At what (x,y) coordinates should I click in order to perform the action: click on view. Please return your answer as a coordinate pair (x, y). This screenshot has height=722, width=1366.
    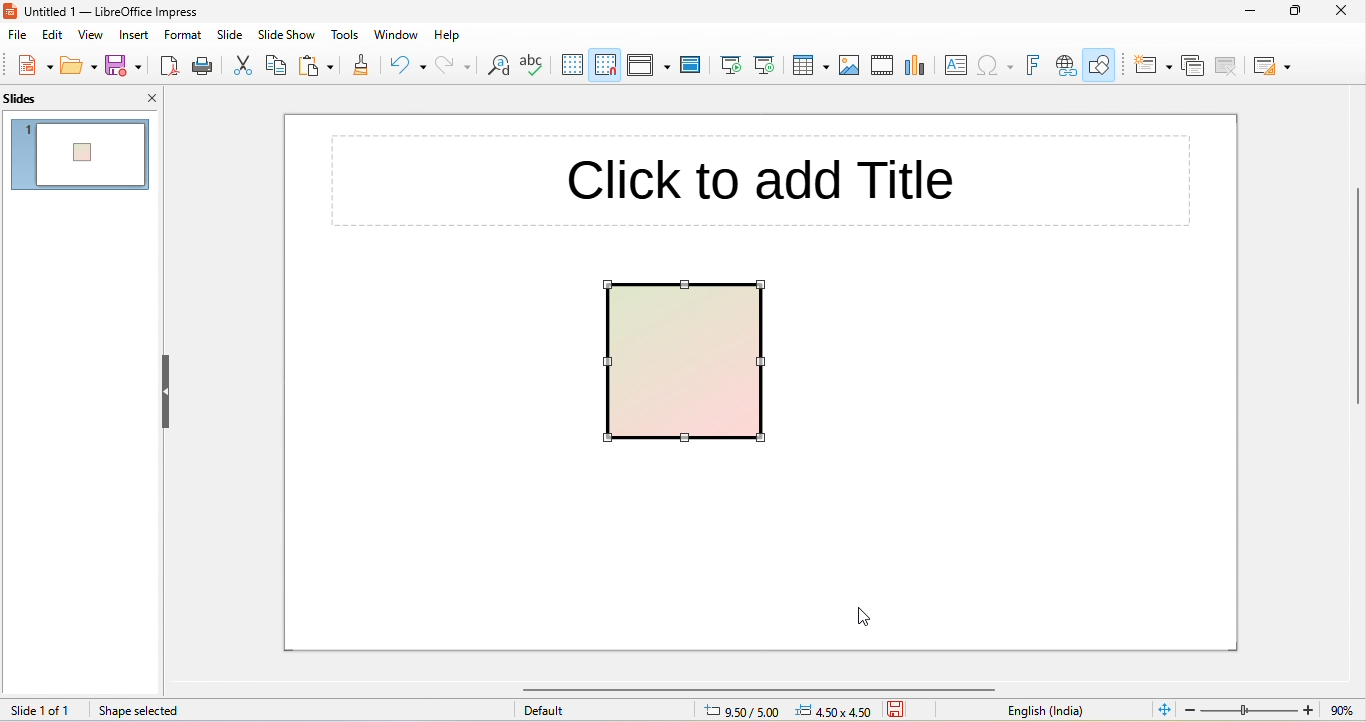
    Looking at the image, I should click on (90, 35).